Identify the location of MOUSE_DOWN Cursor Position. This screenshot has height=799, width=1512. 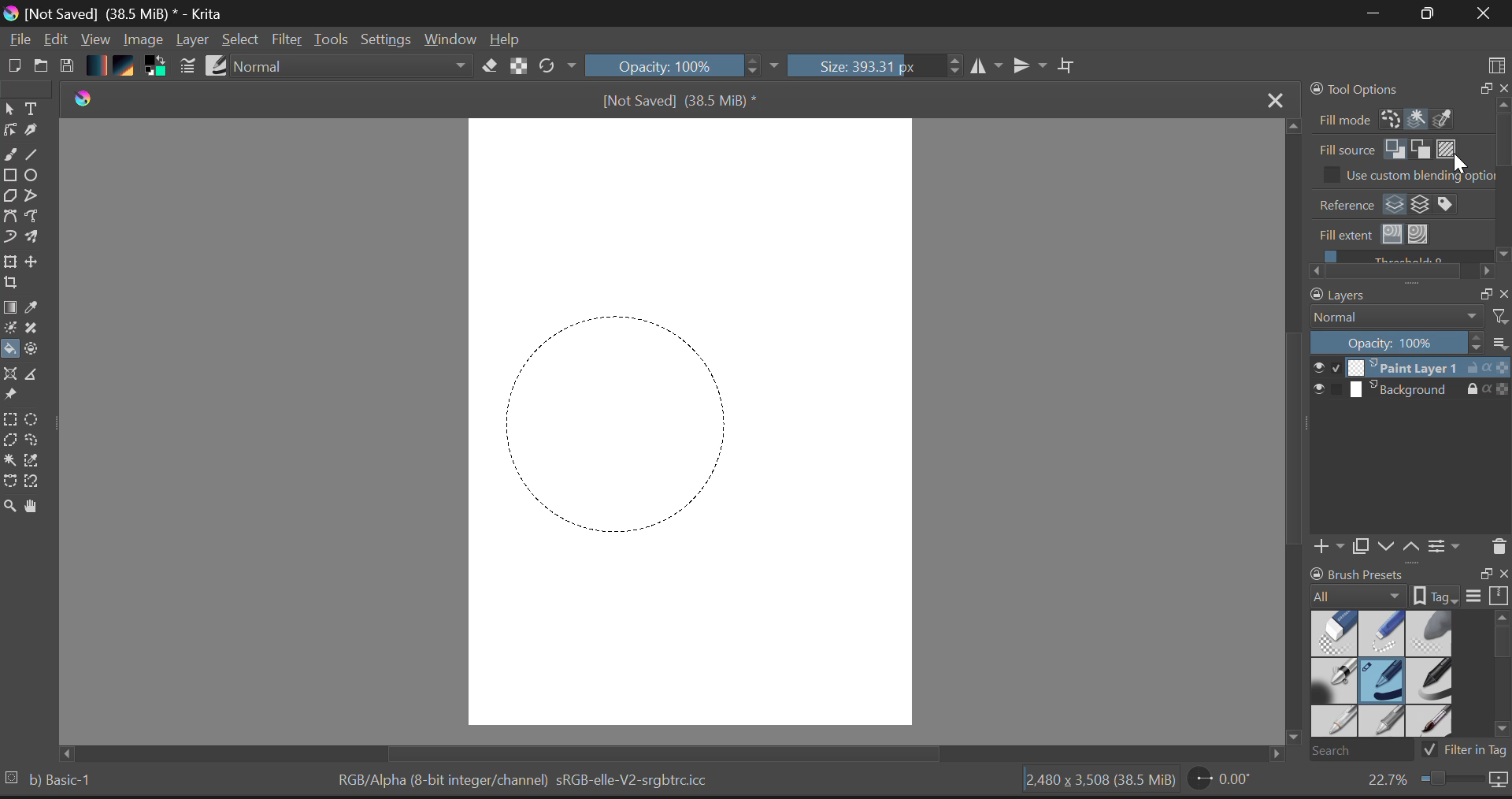
(516, 329).